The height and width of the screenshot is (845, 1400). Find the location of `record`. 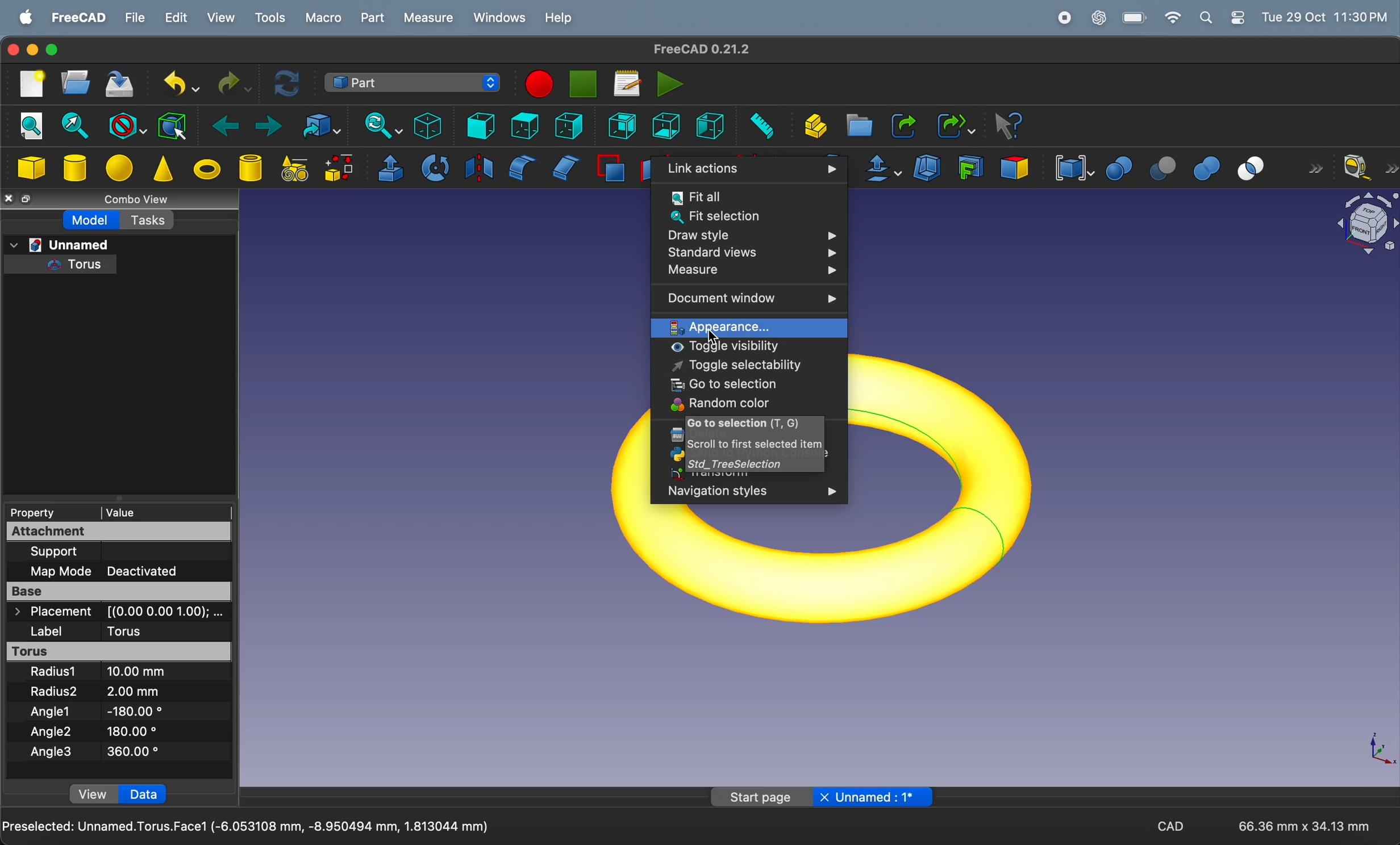

record is located at coordinates (1065, 16).